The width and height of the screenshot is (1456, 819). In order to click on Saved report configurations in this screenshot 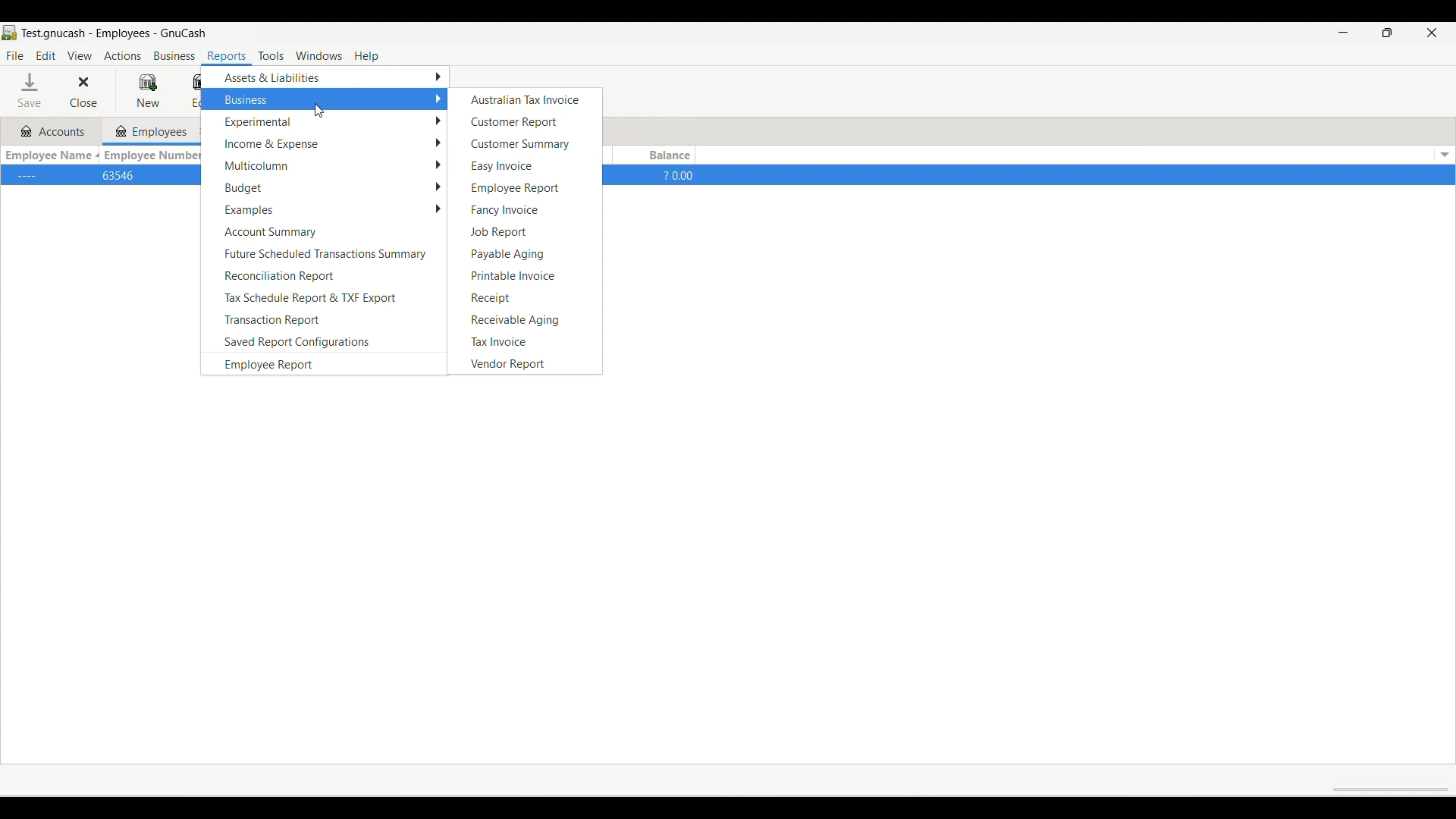, I will do `click(323, 342)`.